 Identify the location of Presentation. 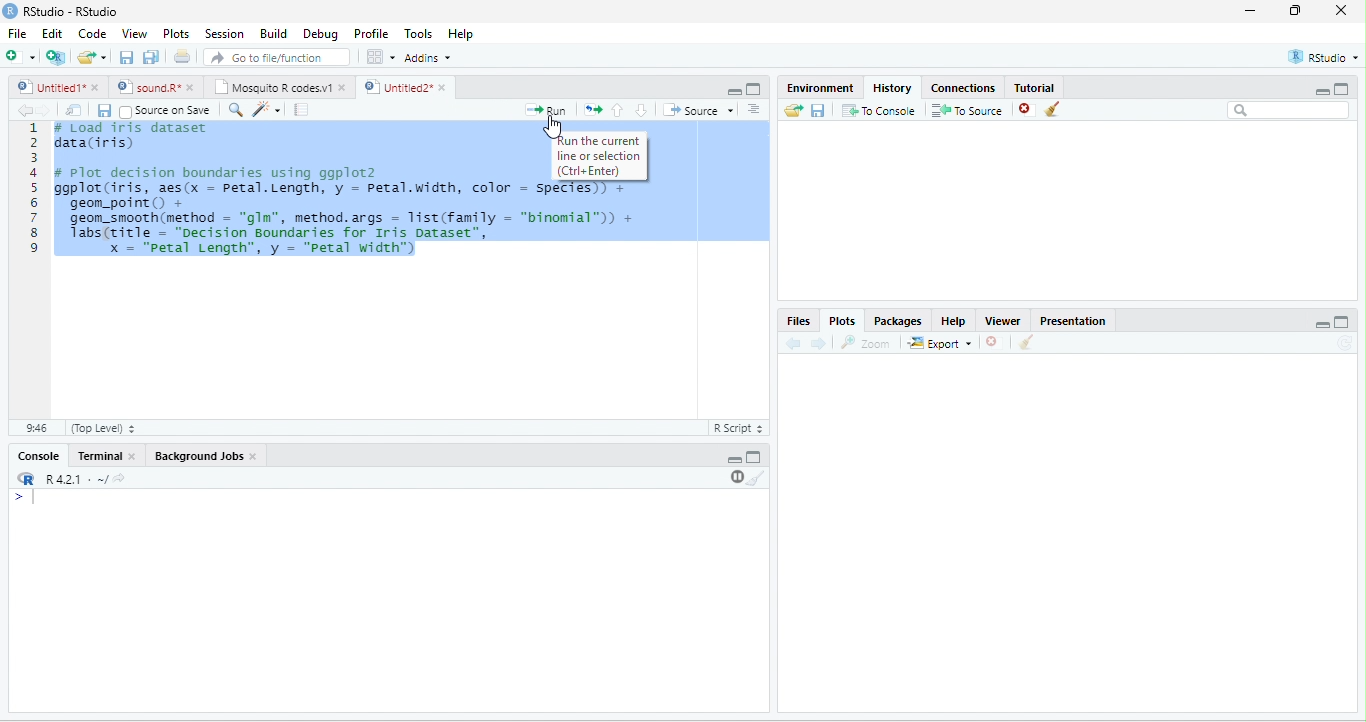
(1074, 321).